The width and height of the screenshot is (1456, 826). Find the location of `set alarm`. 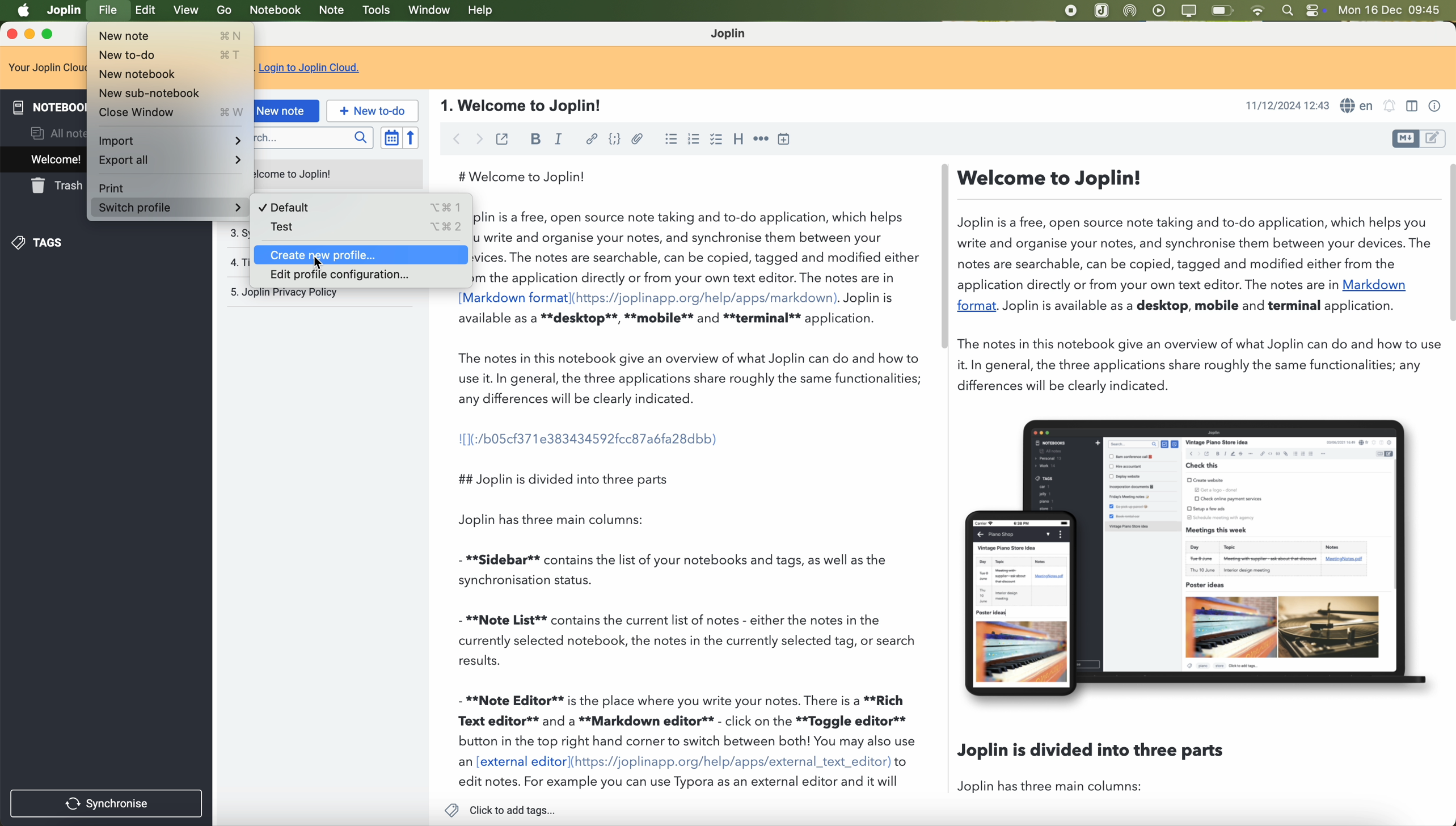

set alarm is located at coordinates (1390, 108).